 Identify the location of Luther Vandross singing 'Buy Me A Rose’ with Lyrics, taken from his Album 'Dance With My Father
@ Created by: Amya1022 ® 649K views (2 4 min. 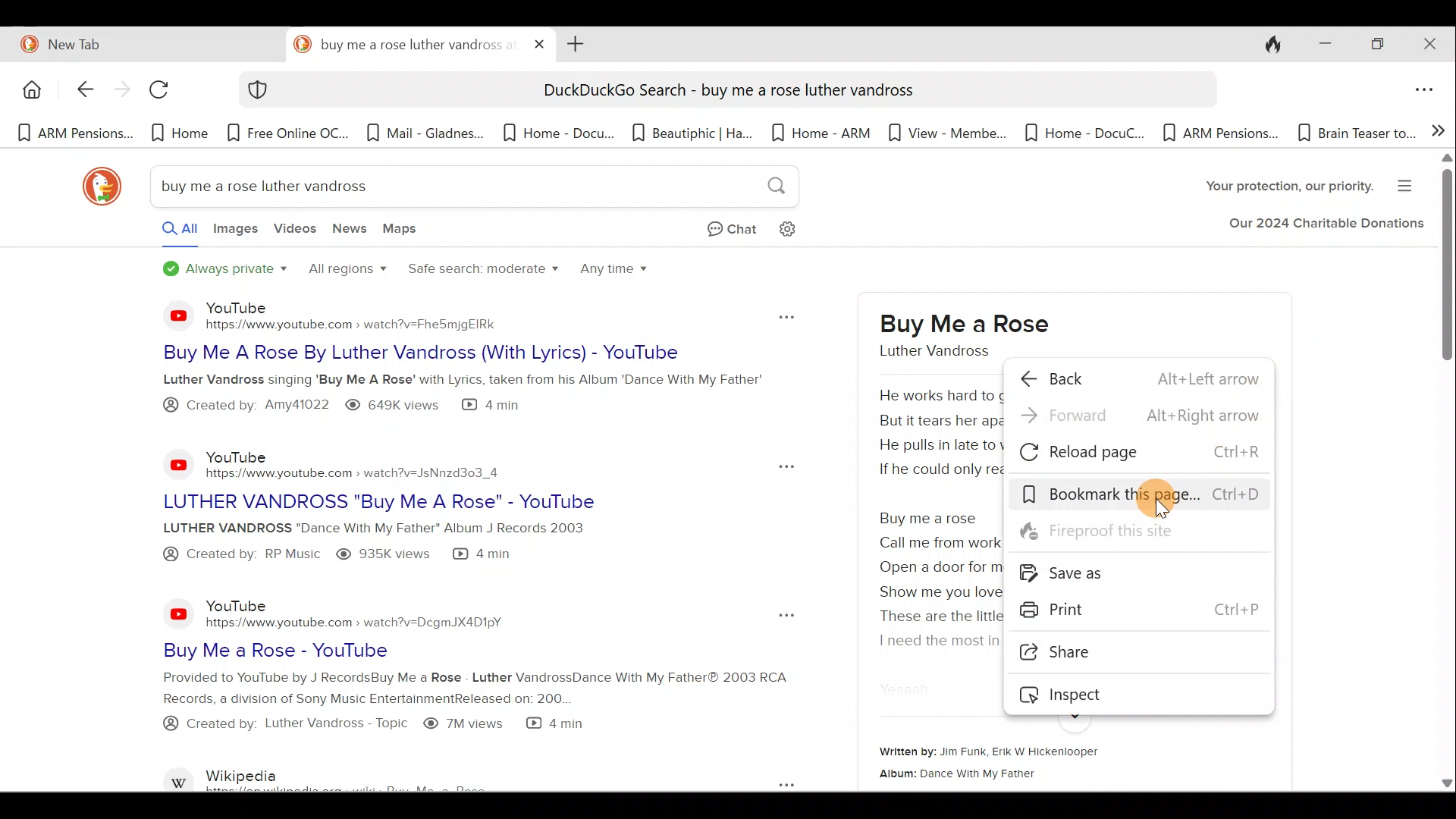
(466, 394).